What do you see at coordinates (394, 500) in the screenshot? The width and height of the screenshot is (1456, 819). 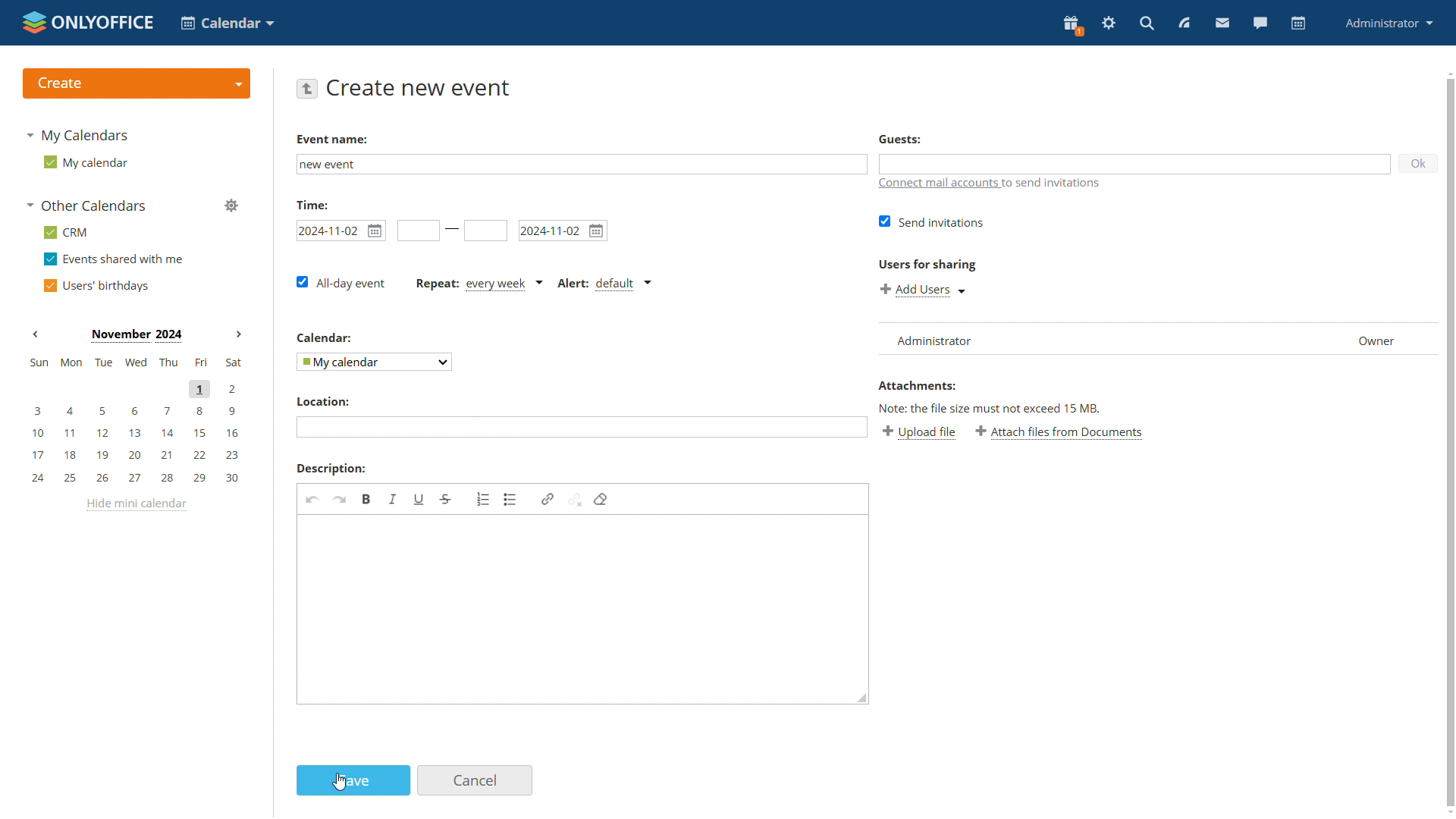 I see `italic` at bounding box center [394, 500].